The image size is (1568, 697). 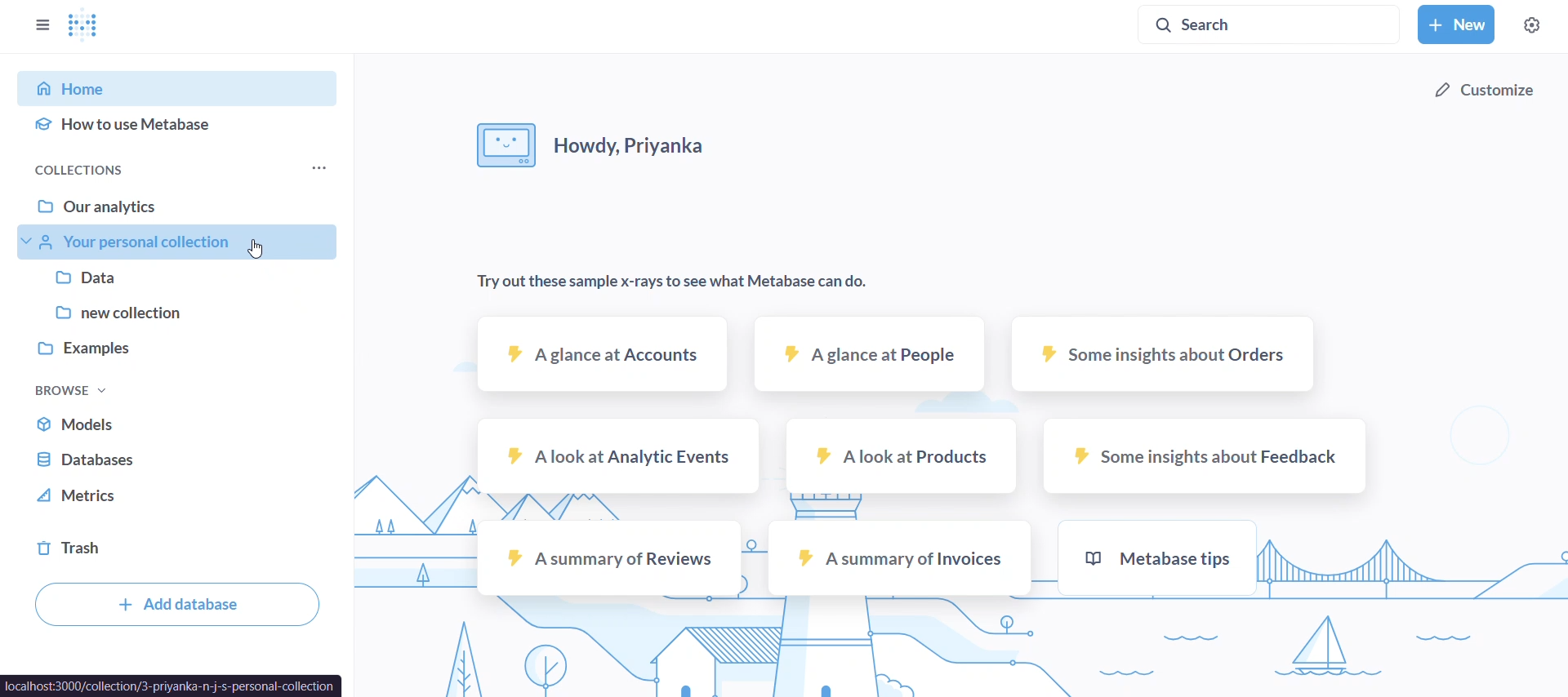 I want to click on some insights aboveorders, so click(x=1161, y=353).